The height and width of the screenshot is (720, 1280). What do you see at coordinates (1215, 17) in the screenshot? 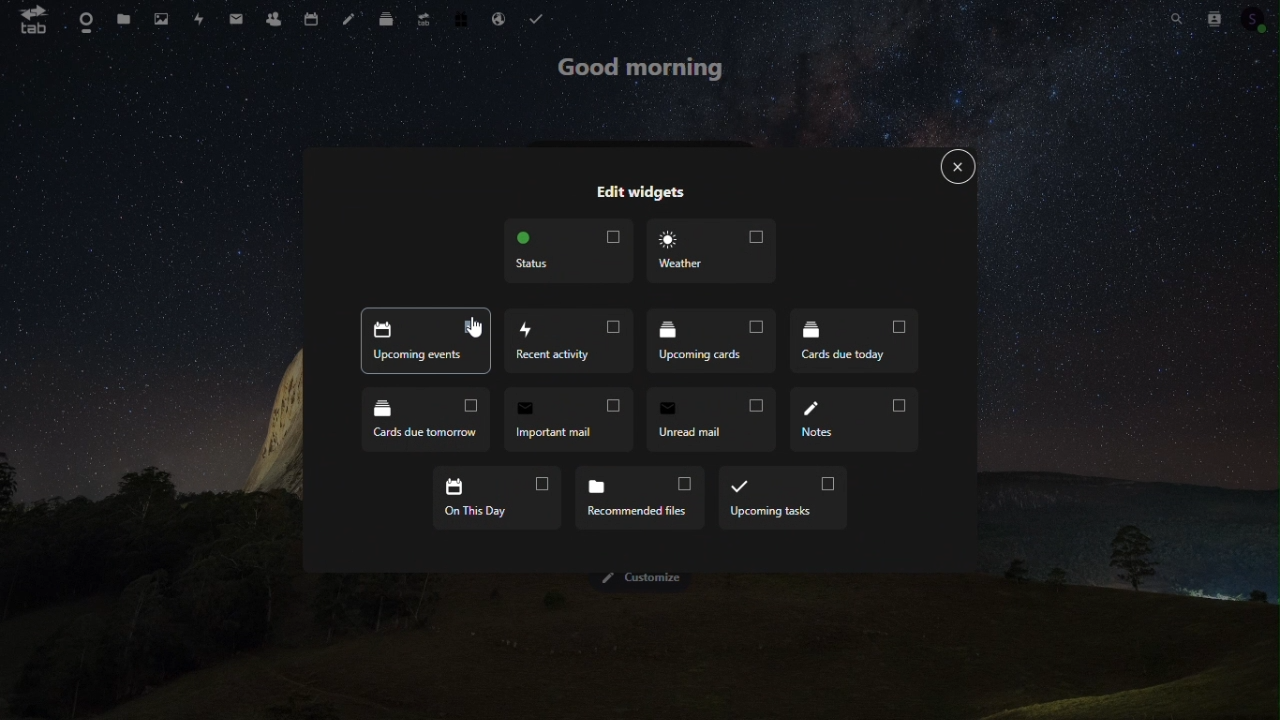
I see `Contacts` at bounding box center [1215, 17].